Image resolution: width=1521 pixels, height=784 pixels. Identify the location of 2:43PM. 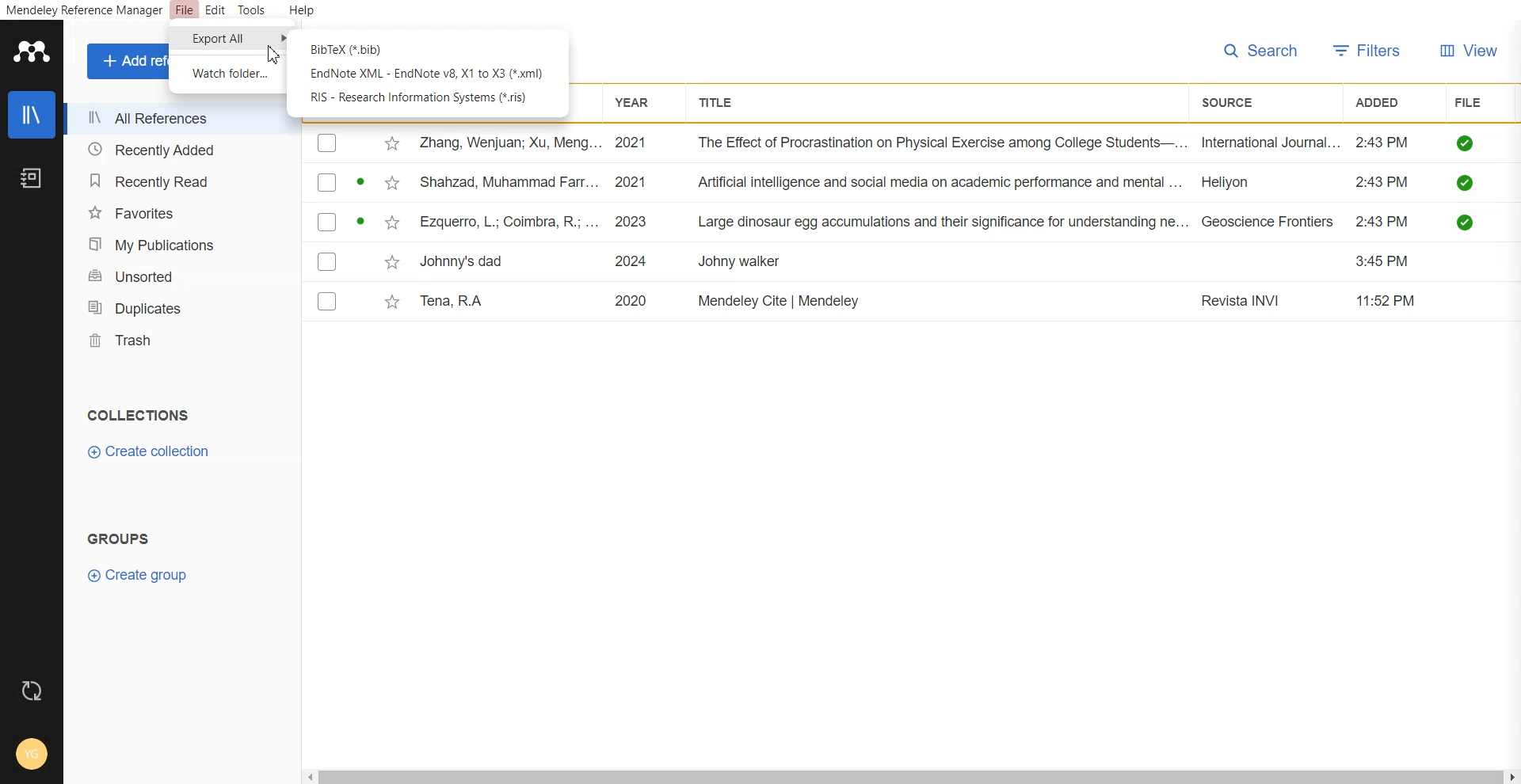
(1385, 222).